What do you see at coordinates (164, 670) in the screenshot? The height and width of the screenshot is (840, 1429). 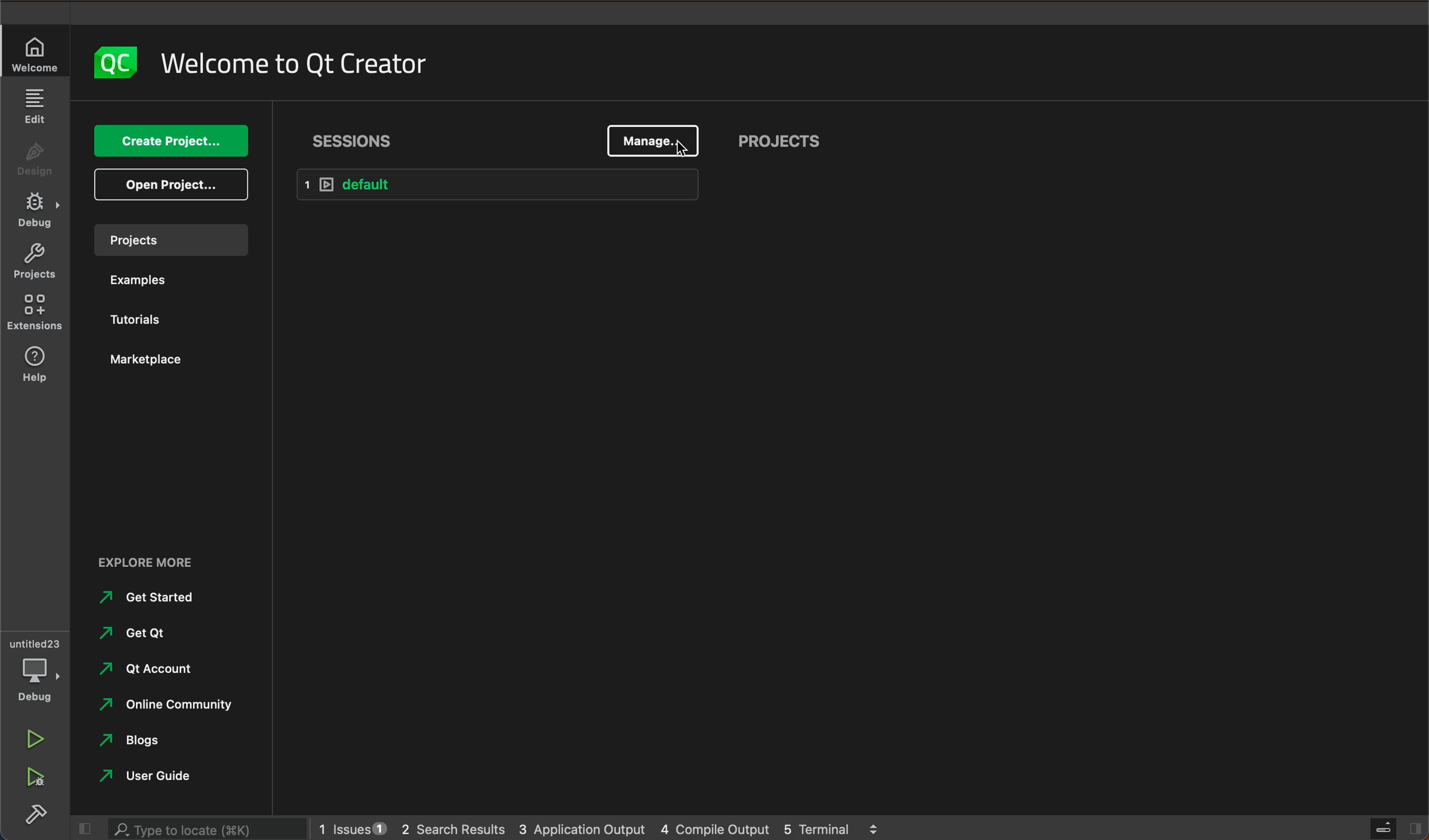 I see `qt account` at bounding box center [164, 670].